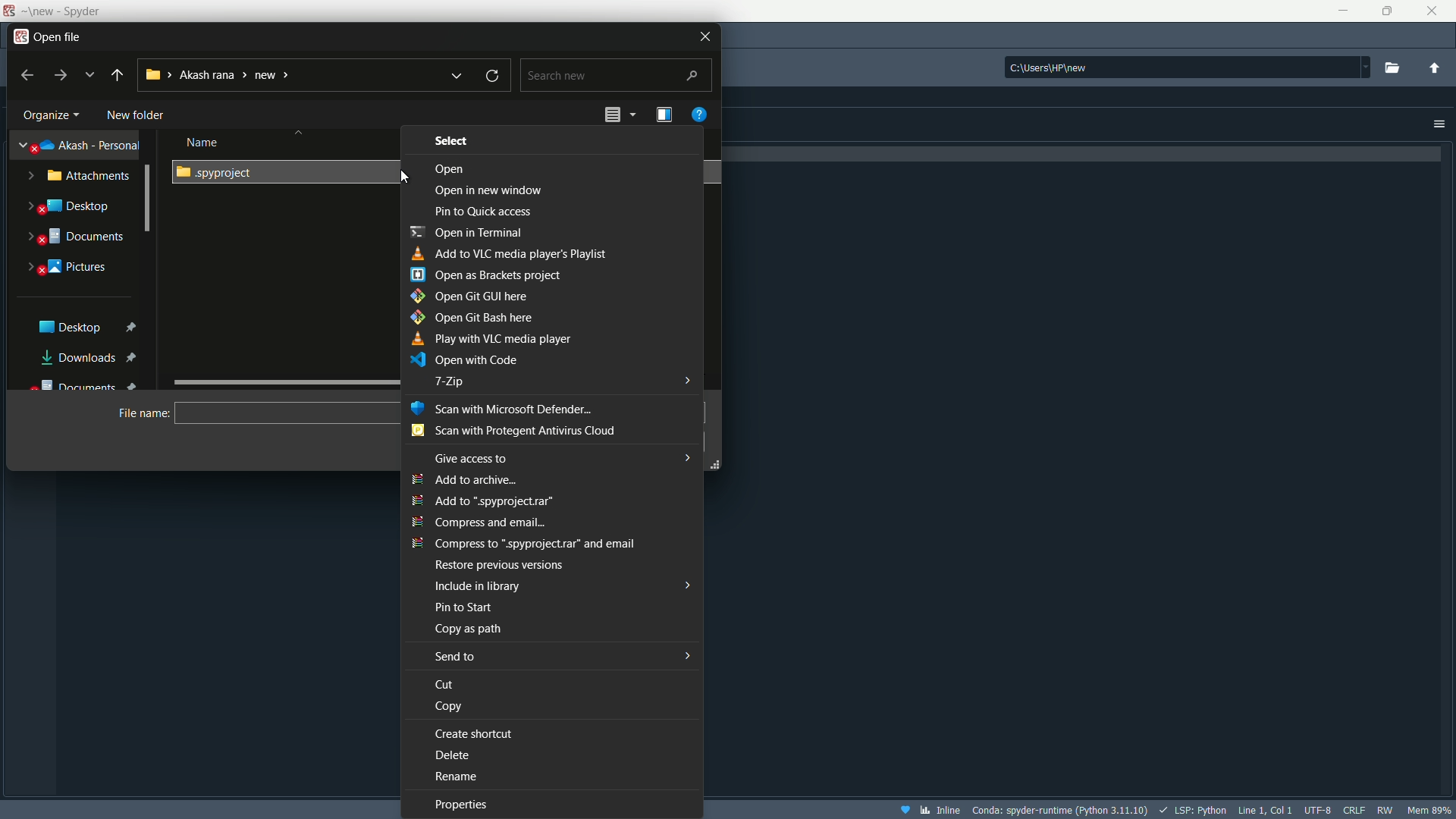  What do you see at coordinates (78, 174) in the screenshot?
I see `Attachments` at bounding box center [78, 174].